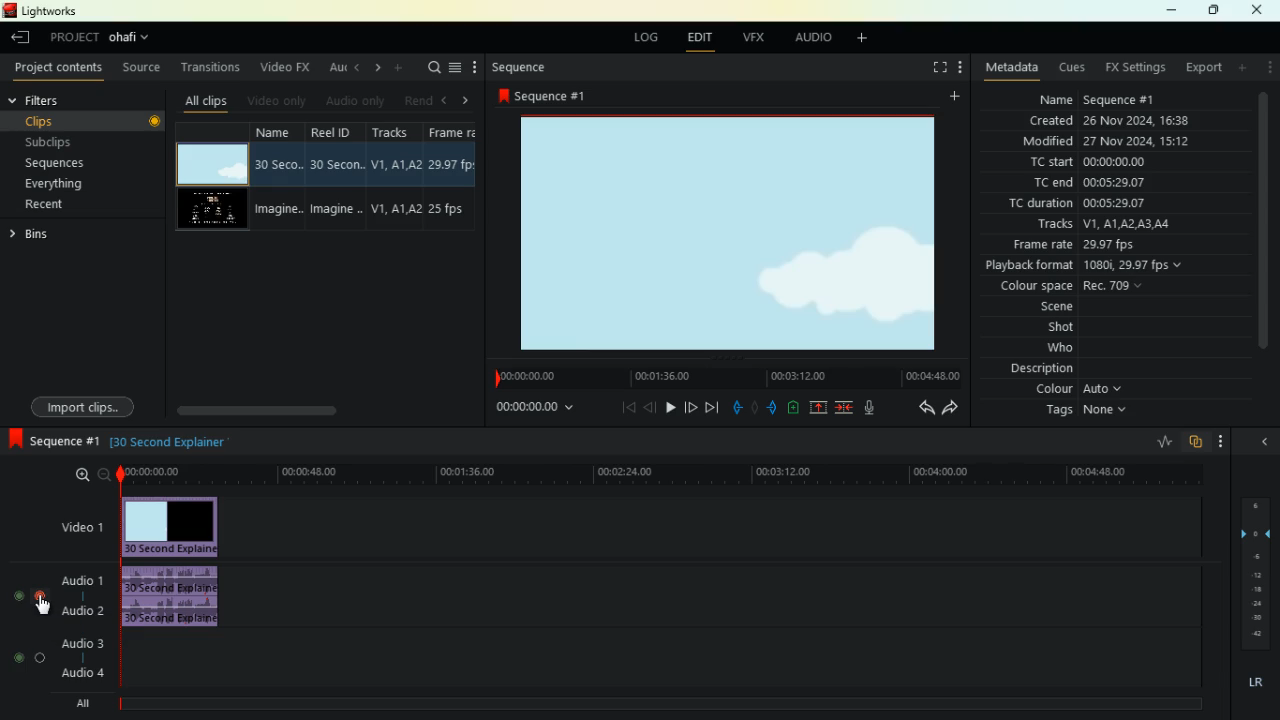  Describe the element at coordinates (21, 36) in the screenshot. I see `leave` at that location.